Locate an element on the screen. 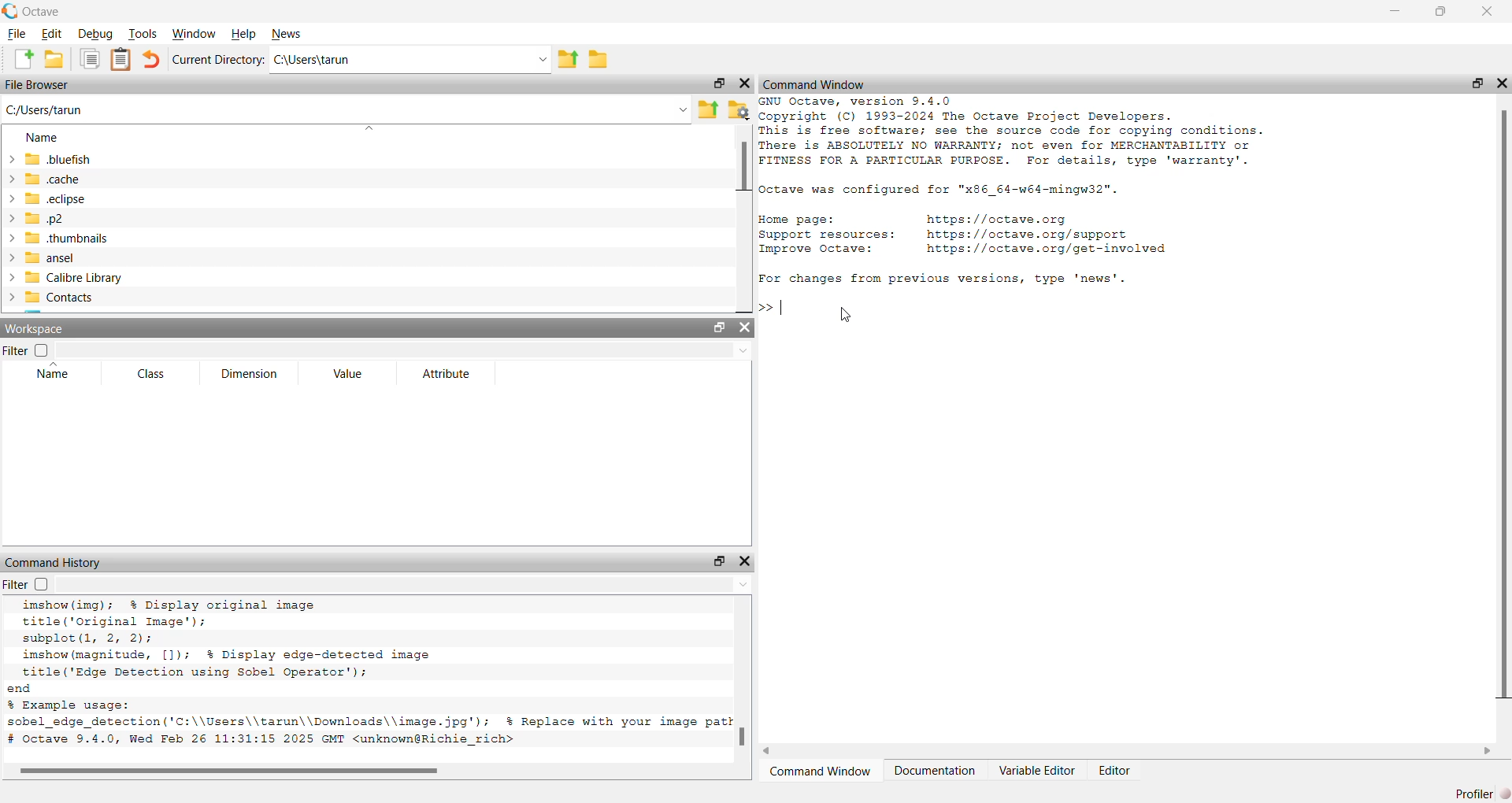  Current Directory: is located at coordinates (217, 61).